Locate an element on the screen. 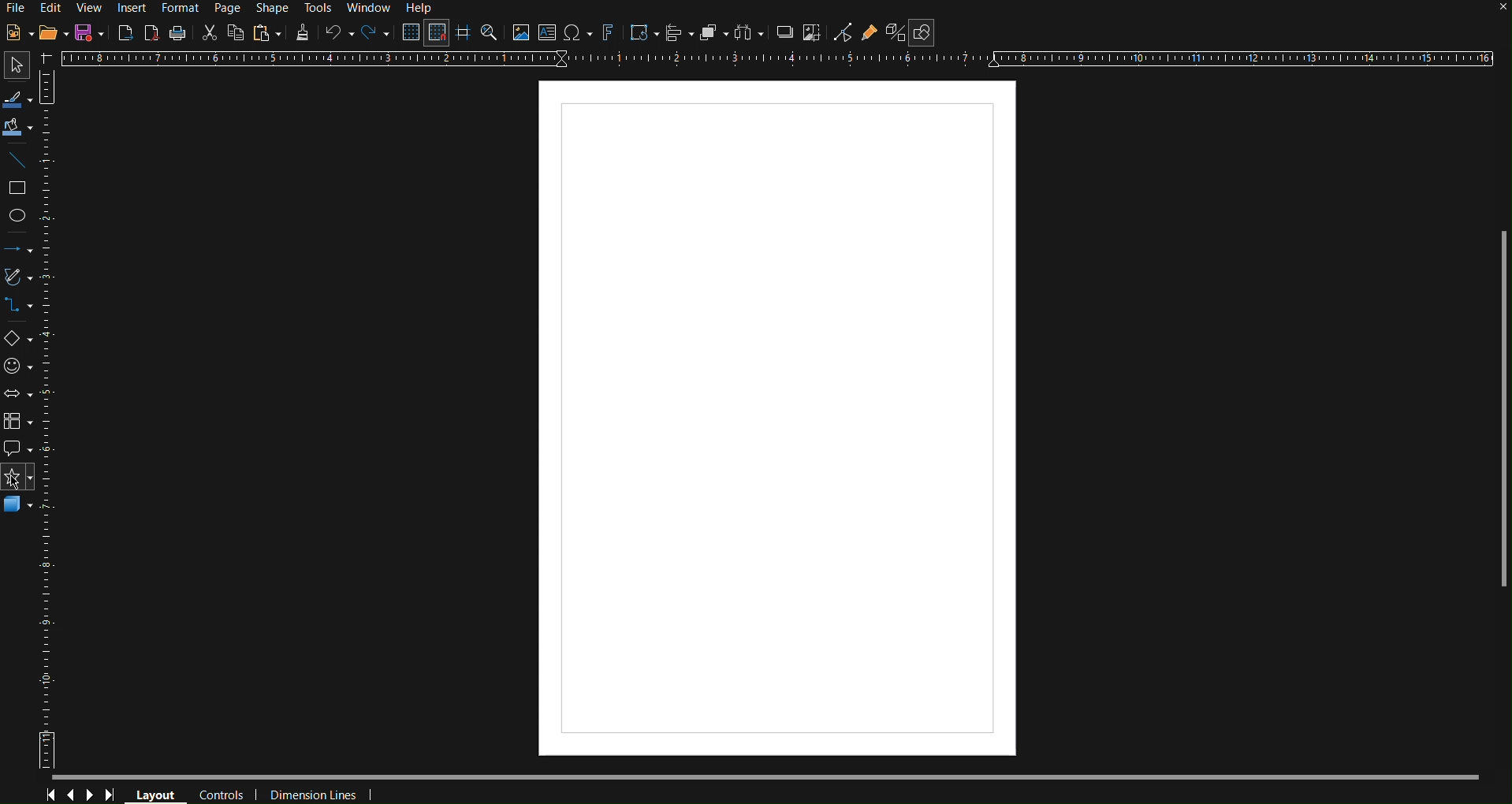  Insert is located at coordinates (131, 9).